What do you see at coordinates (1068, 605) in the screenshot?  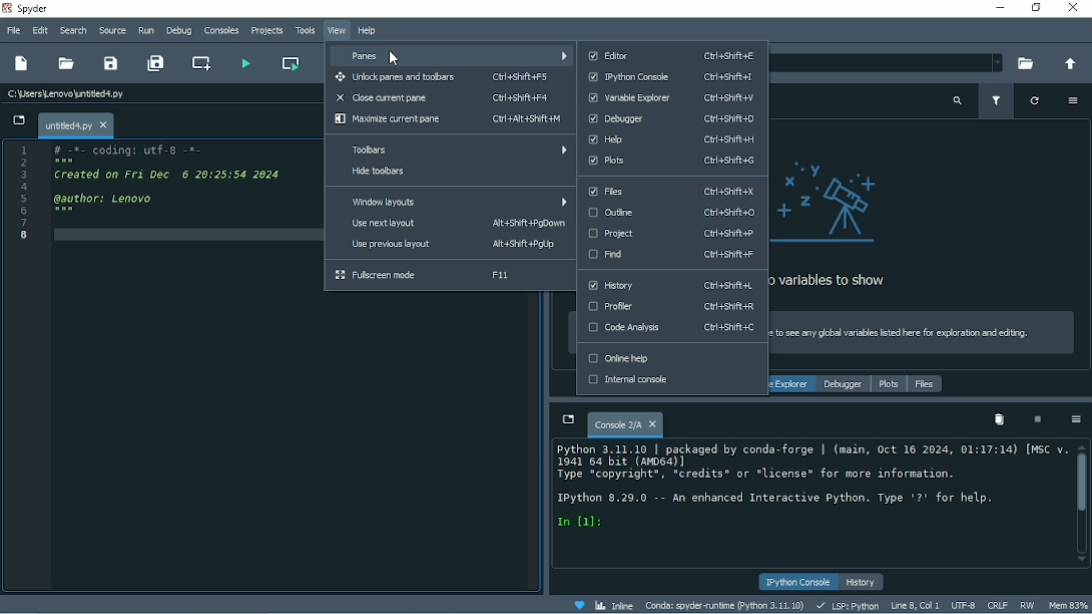 I see `Mem` at bounding box center [1068, 605].